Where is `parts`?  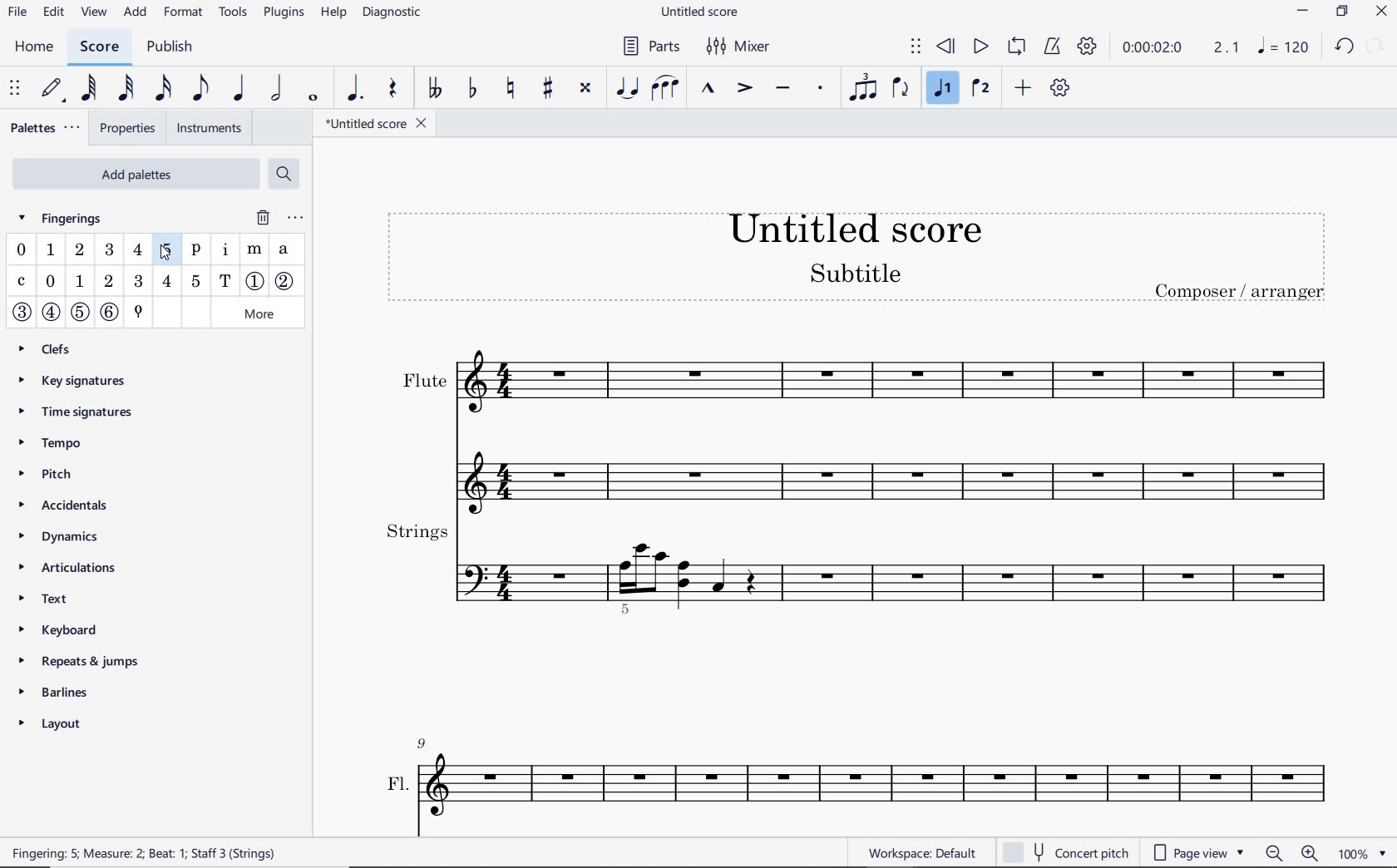 parts is located at coordinates (648, 46).